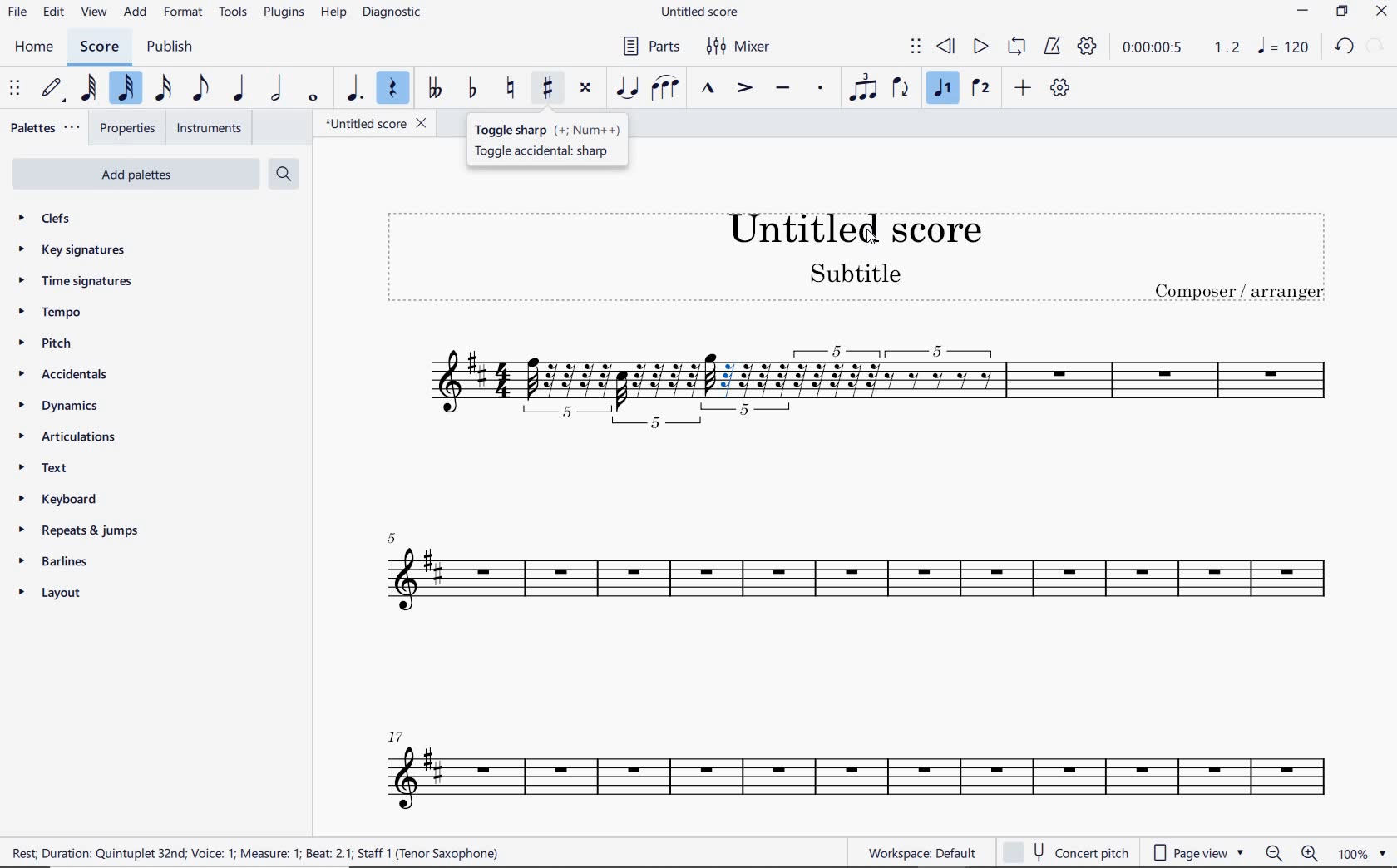 This screenshot has width=1397, height=868. Describe the element at coordinates (545, 89) in the screenshot. I see `TOGGLE SHARP` at that location.